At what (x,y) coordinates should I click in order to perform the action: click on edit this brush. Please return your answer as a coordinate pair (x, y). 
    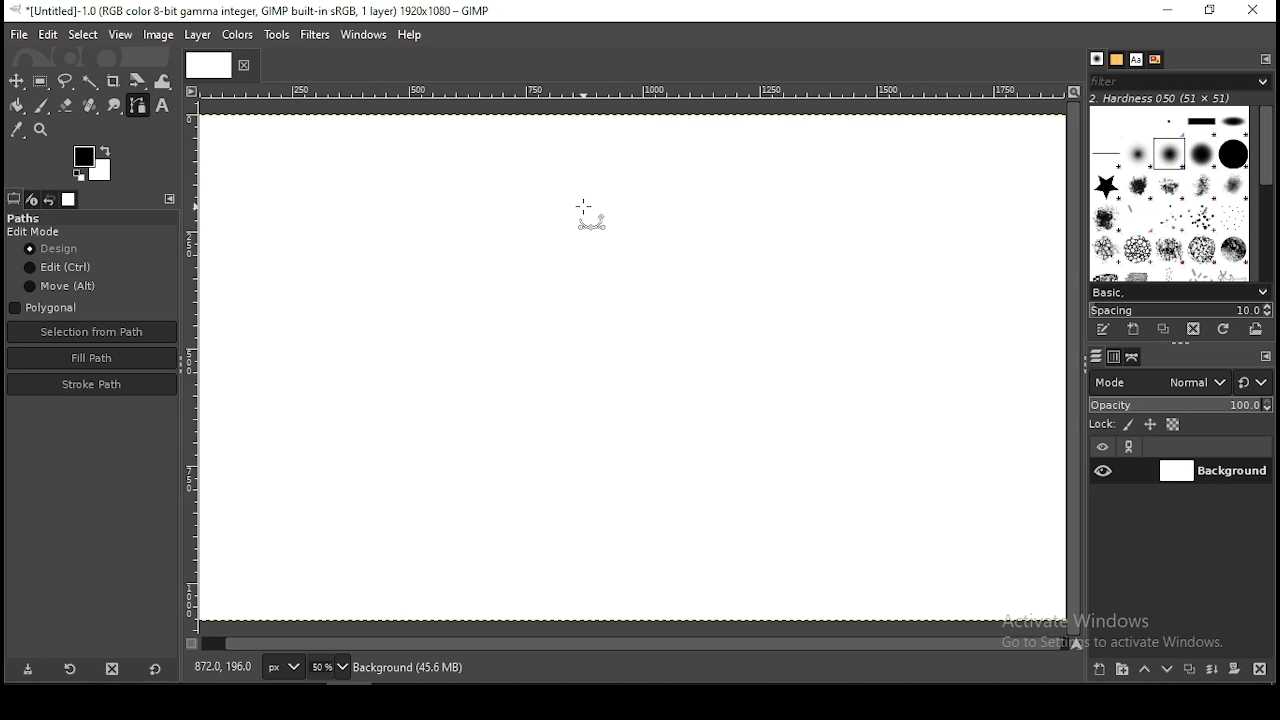
    Looking at the image, I should click on (1102, 329).